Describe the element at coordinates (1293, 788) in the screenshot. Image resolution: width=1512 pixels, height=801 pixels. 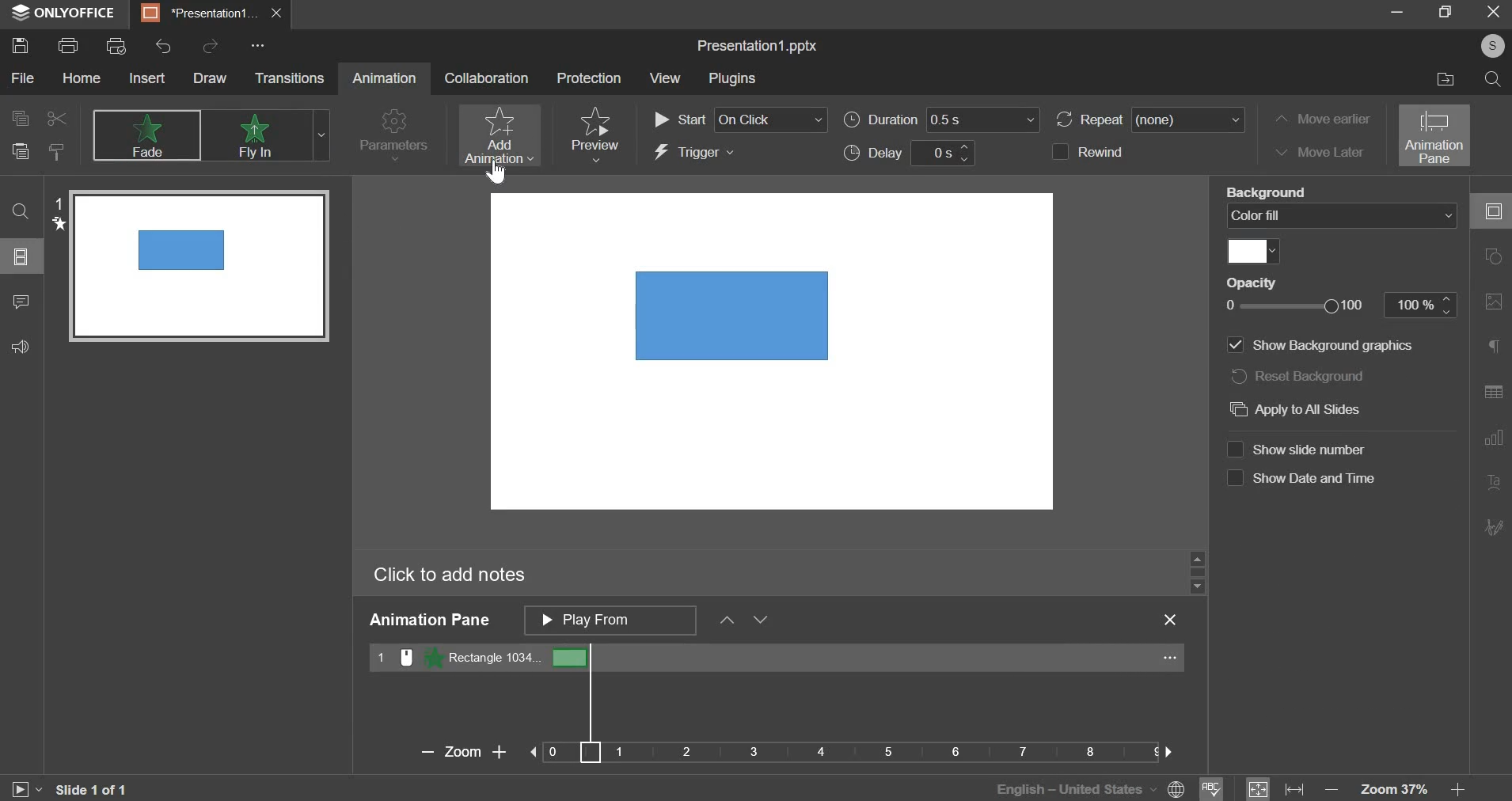
I see `fit to width` at that location.